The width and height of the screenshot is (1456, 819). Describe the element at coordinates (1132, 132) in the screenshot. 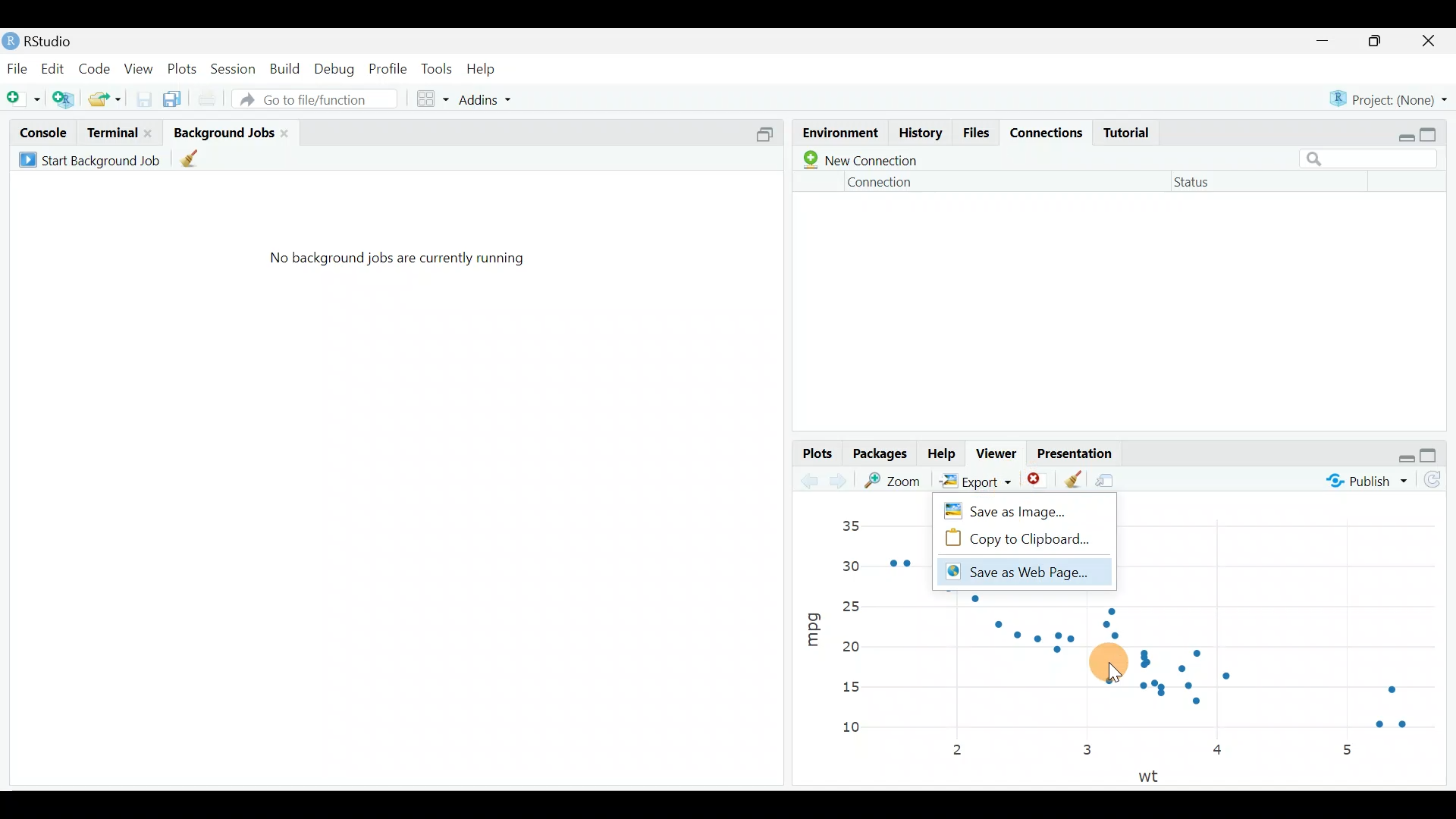

I see `Tutorial` at that location.